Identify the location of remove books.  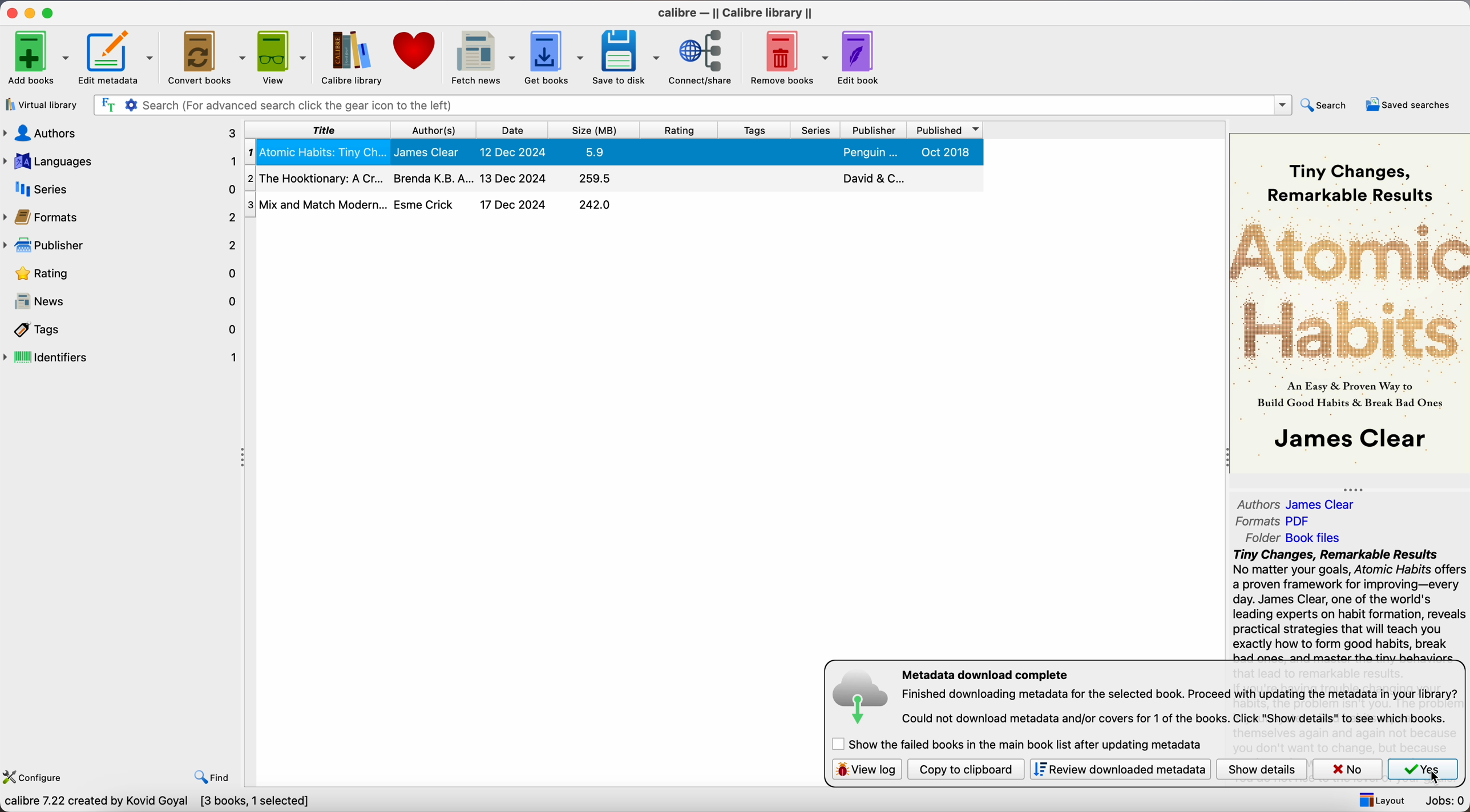
(790, 57).